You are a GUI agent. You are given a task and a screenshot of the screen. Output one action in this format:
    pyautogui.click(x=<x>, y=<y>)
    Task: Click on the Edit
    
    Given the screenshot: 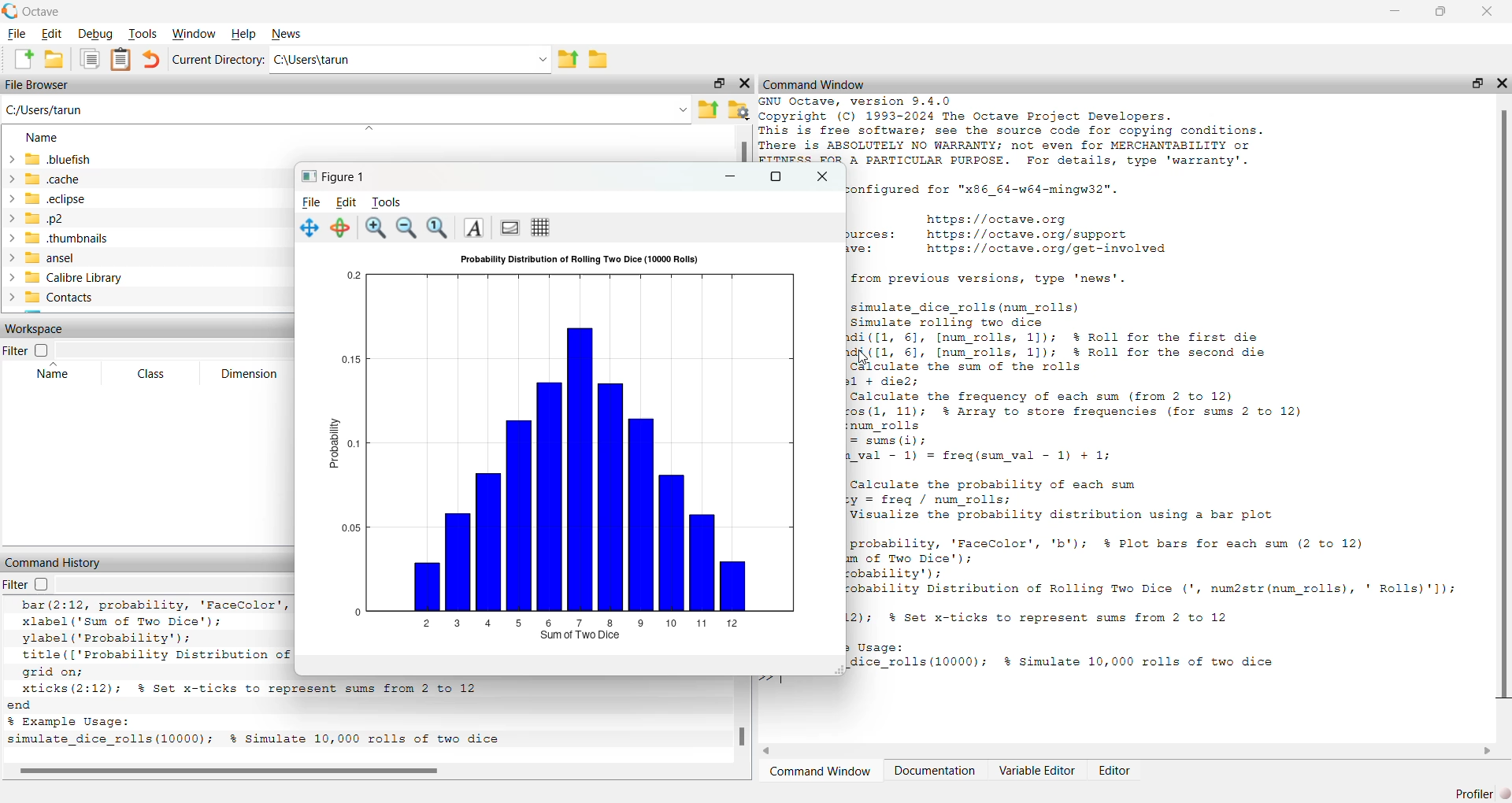 What is the action you would take?
    pyautogui.click(x=50, y=33)
    